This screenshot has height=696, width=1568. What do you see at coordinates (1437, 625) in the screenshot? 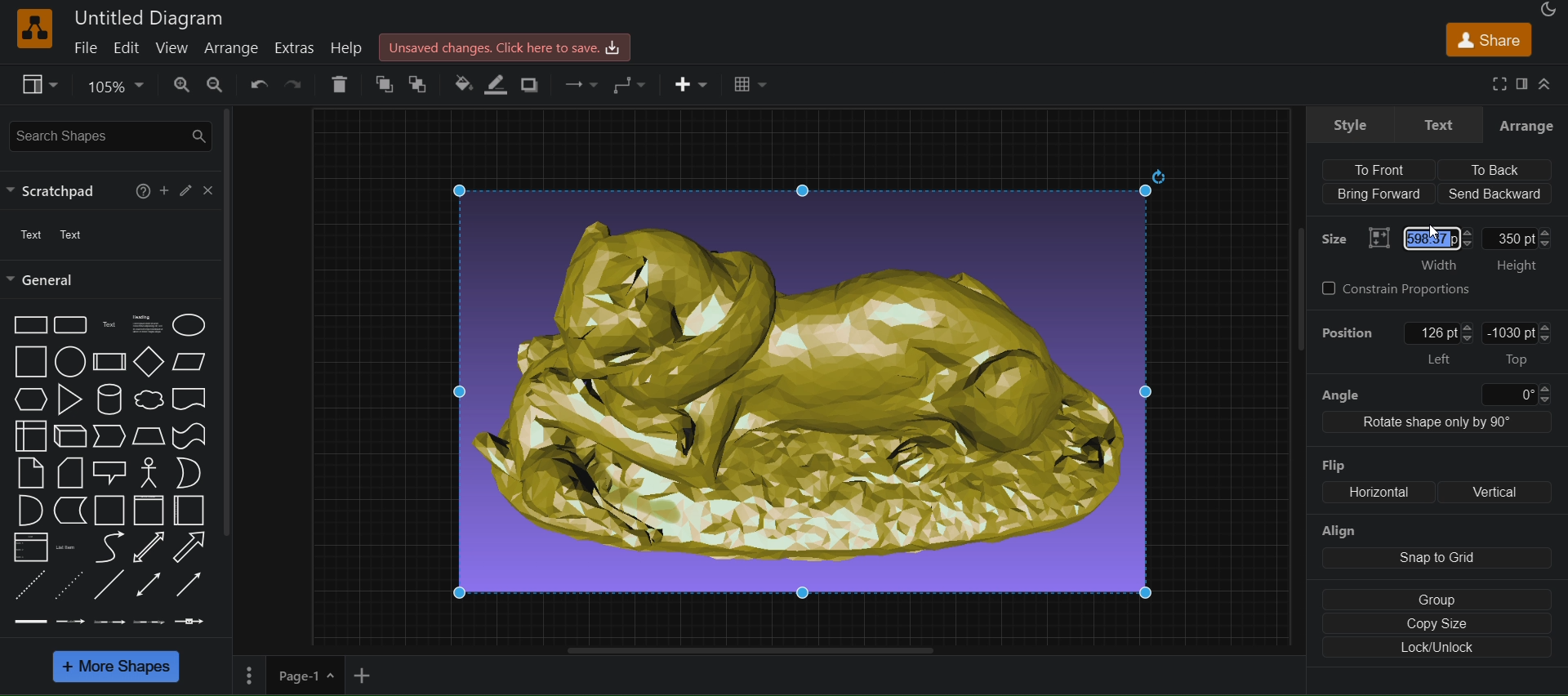
I see `copy size` at bounding box center [1437, 625].